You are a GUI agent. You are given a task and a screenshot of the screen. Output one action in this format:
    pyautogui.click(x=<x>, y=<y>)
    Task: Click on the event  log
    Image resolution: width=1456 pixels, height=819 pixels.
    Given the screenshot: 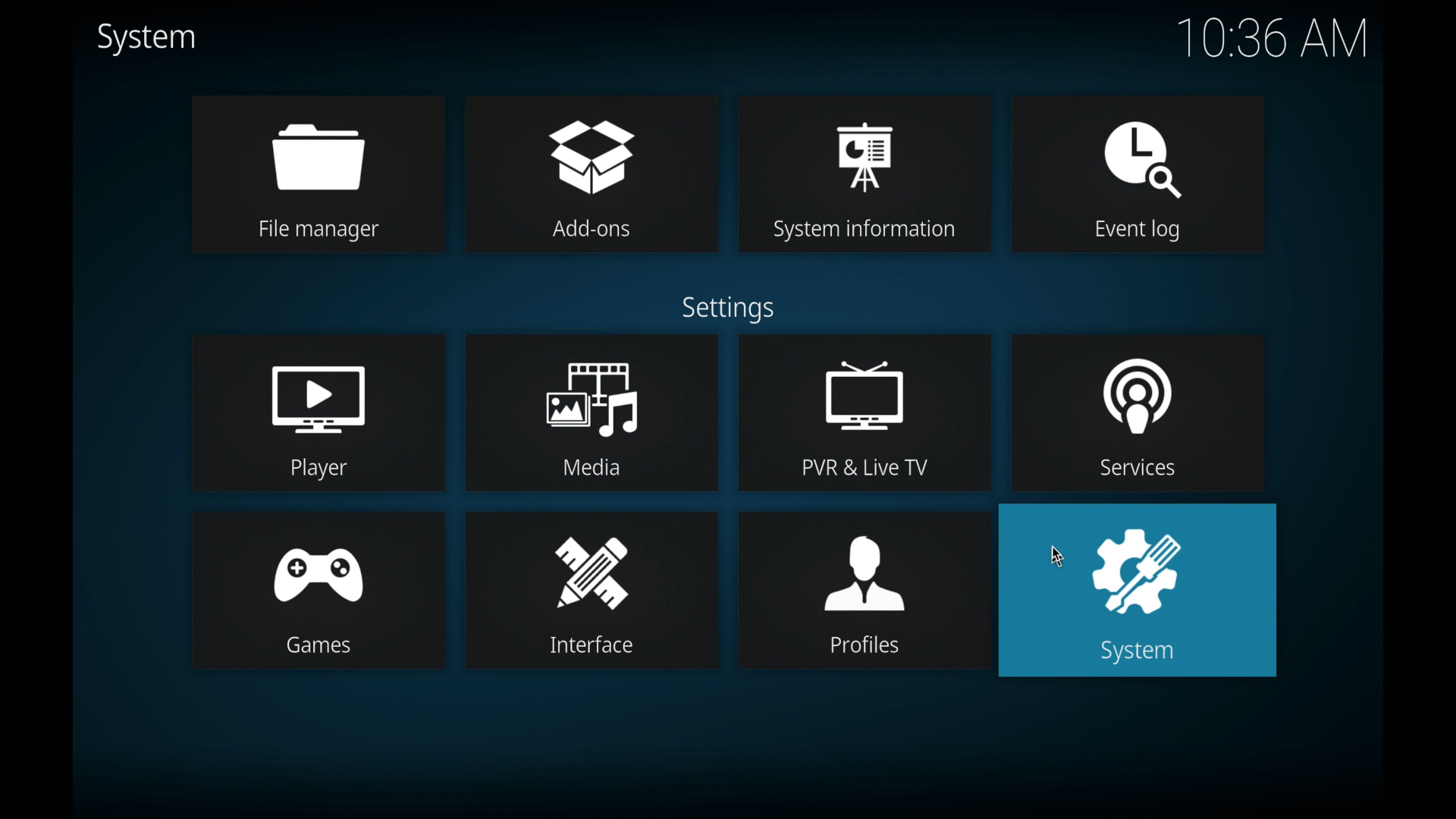 What is the action you would take?
    pyautogui.click(x=1139, y=173)
    